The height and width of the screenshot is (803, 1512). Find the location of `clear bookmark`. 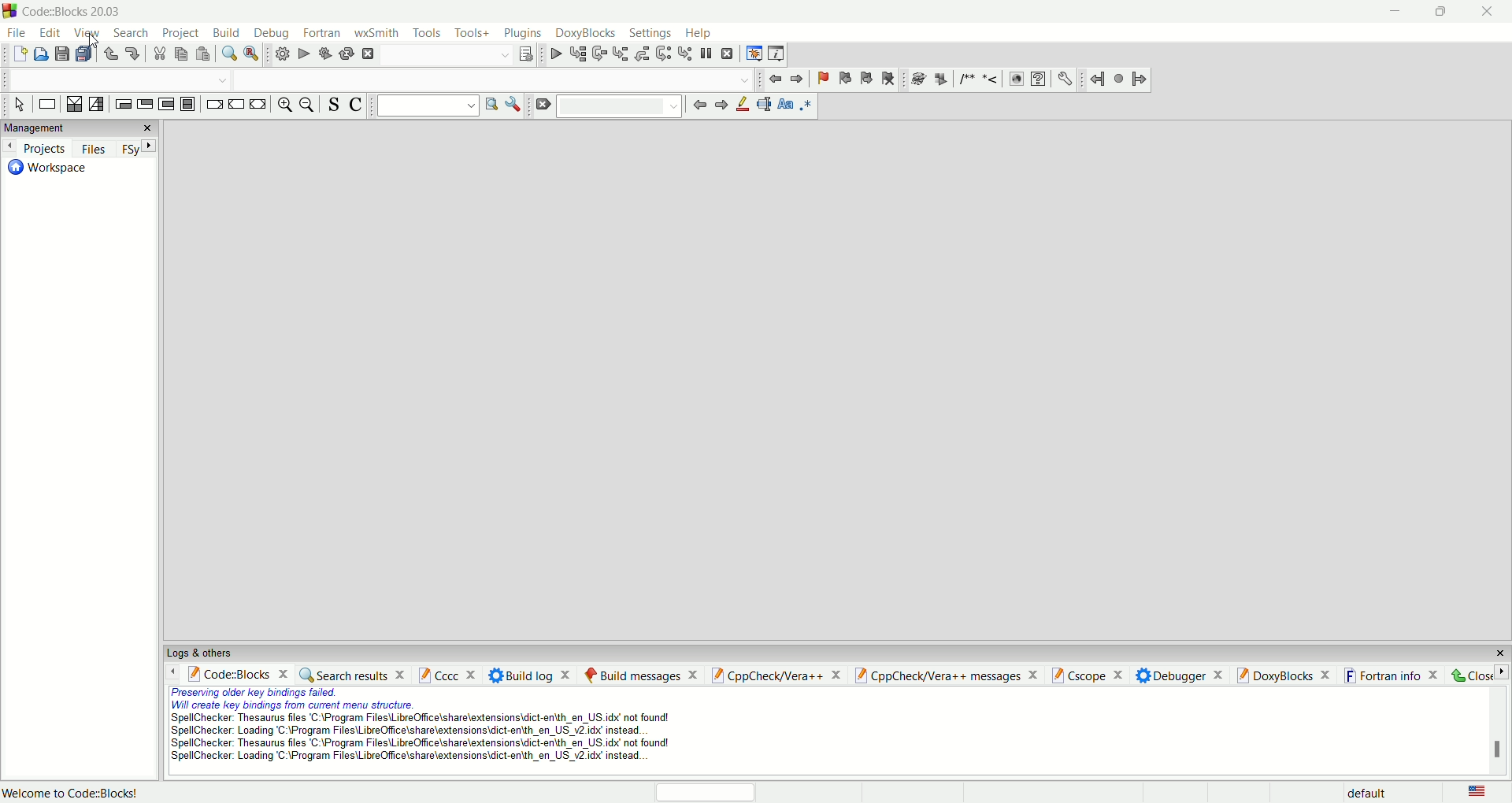

clear bookmark is located at coordinates (887, 79).